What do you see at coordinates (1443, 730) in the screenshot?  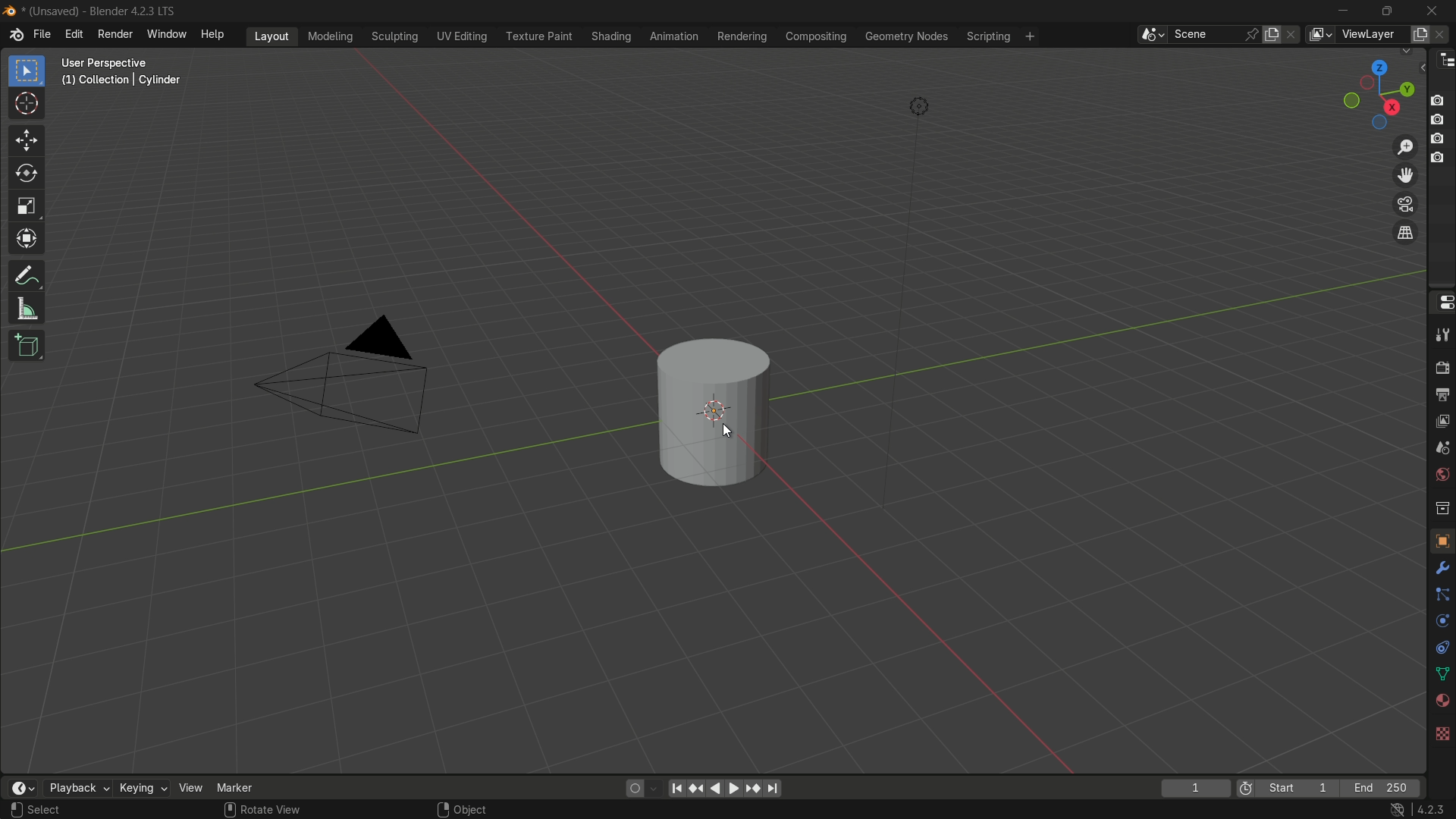 I see `textures` at bounding box center [1443, 730].